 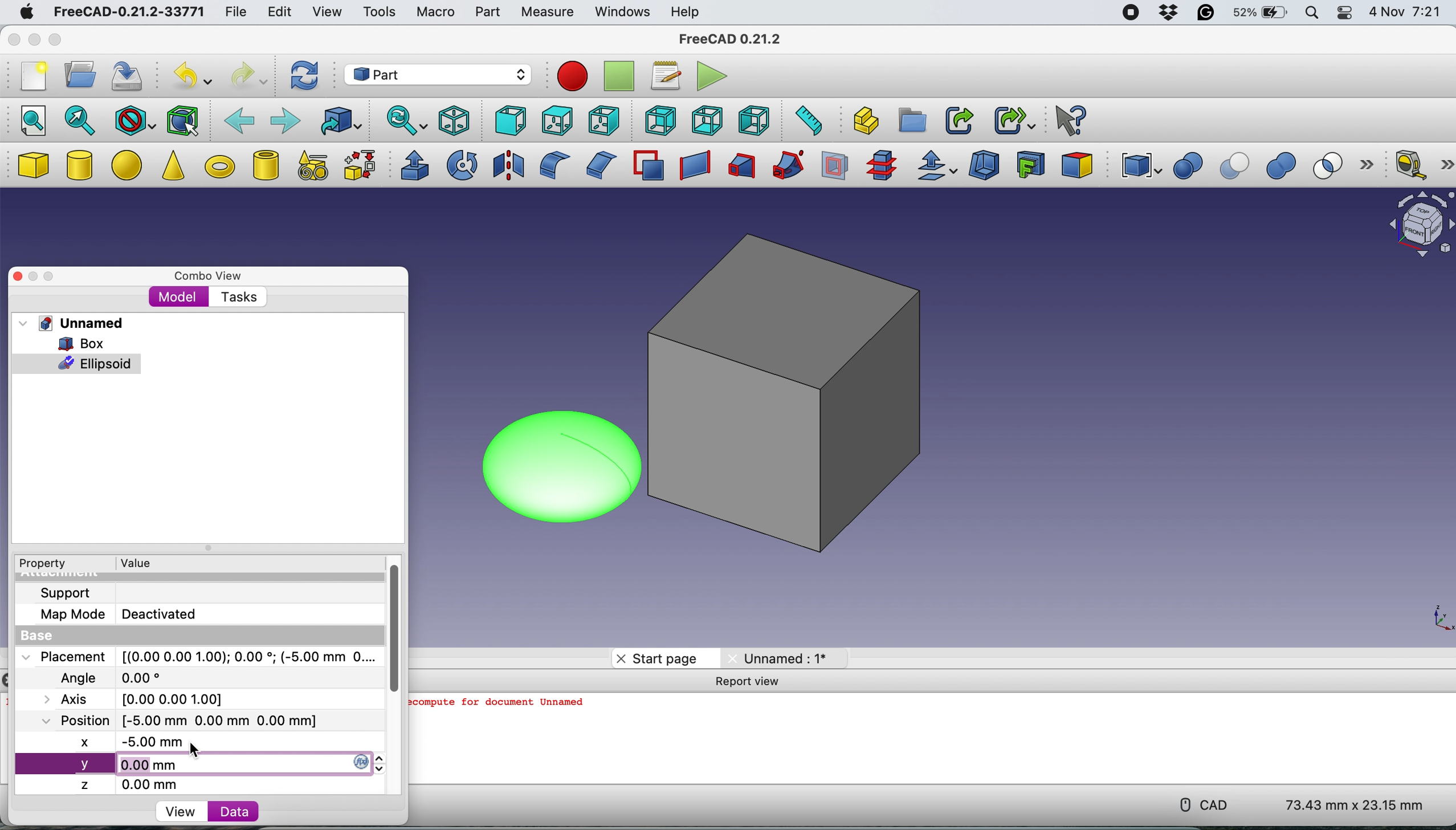 What do you see at coordinates (784, 166) in the screenshot?
I see `sweep` at bounding box center [784, 166].